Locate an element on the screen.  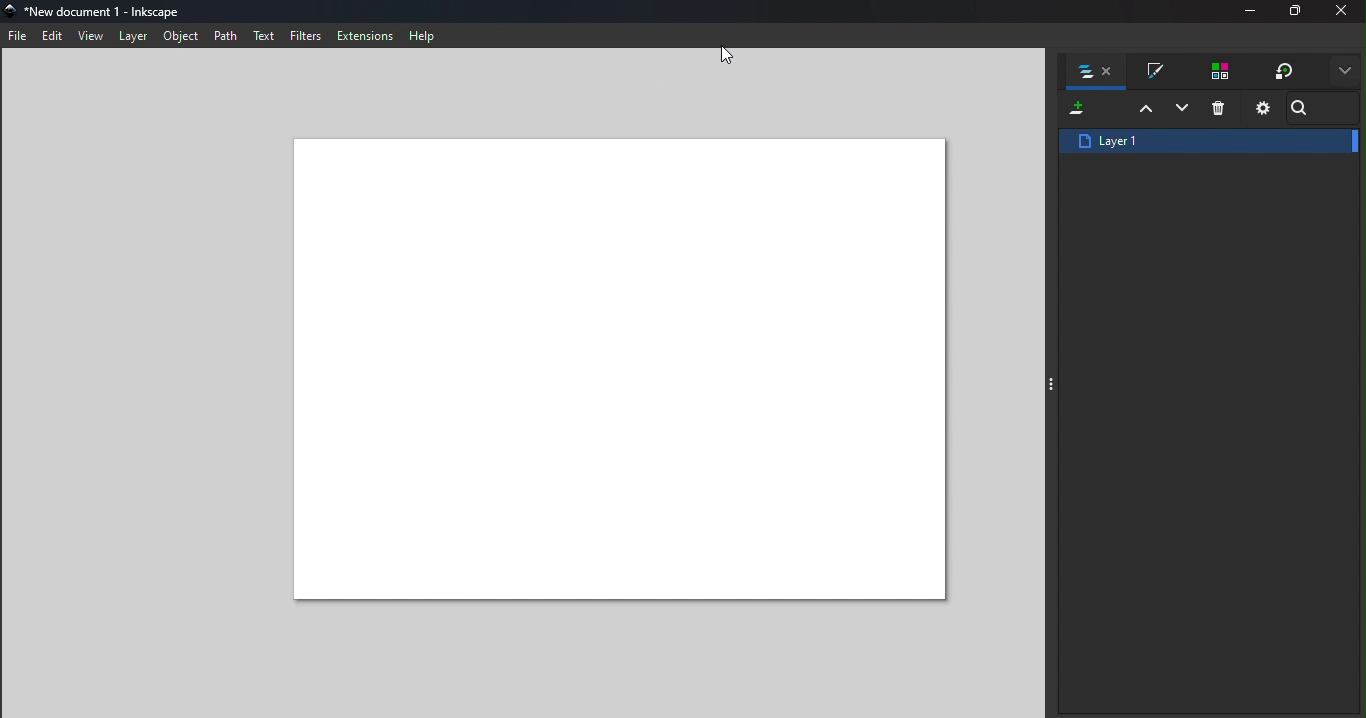
Layers and objects is located at coordinates (1095, 72).